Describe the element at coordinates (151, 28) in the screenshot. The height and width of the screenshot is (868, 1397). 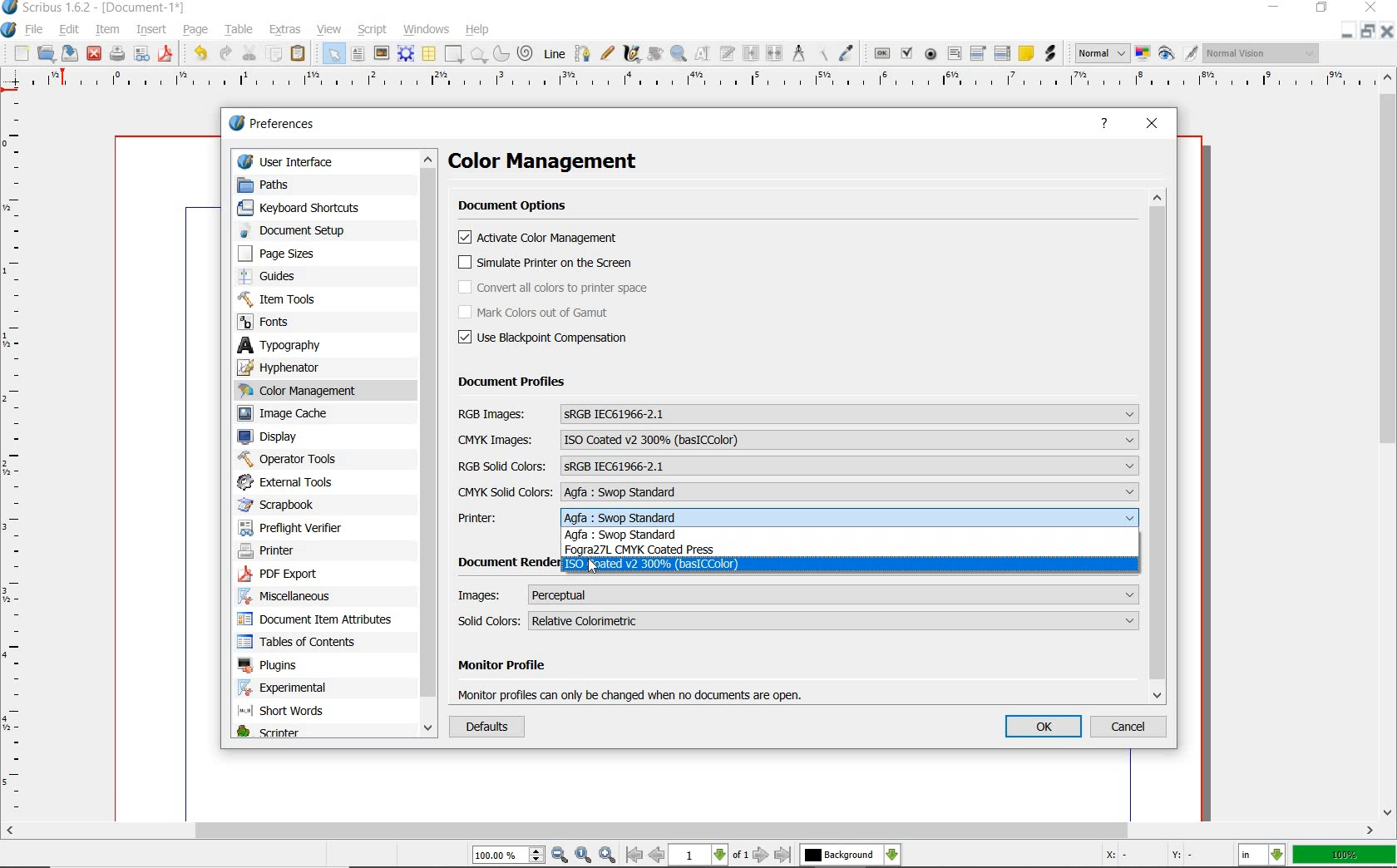
I see `insert` at that location.